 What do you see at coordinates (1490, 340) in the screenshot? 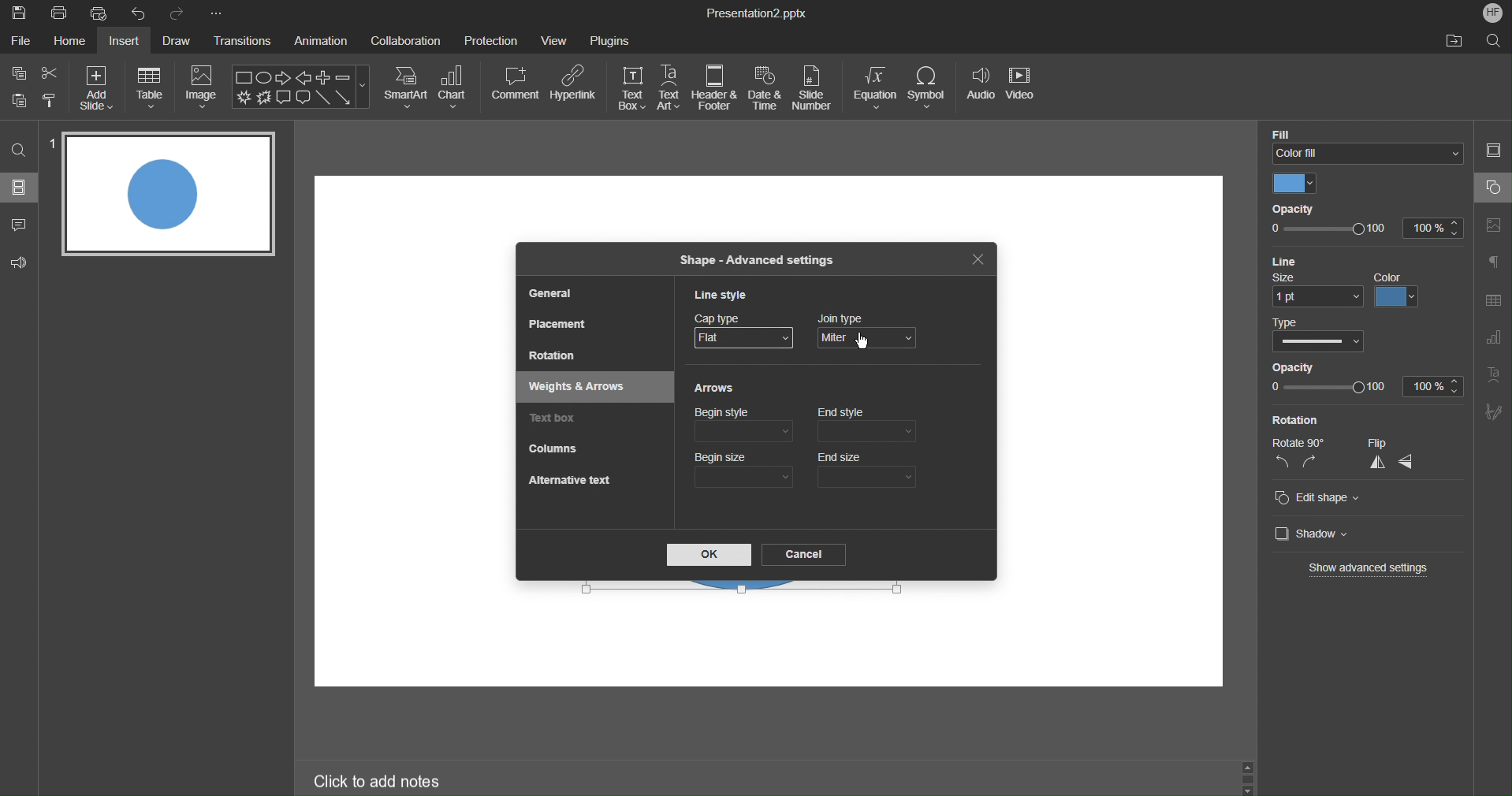
I see `Graph Settings` at bounding box center [1490, 340].